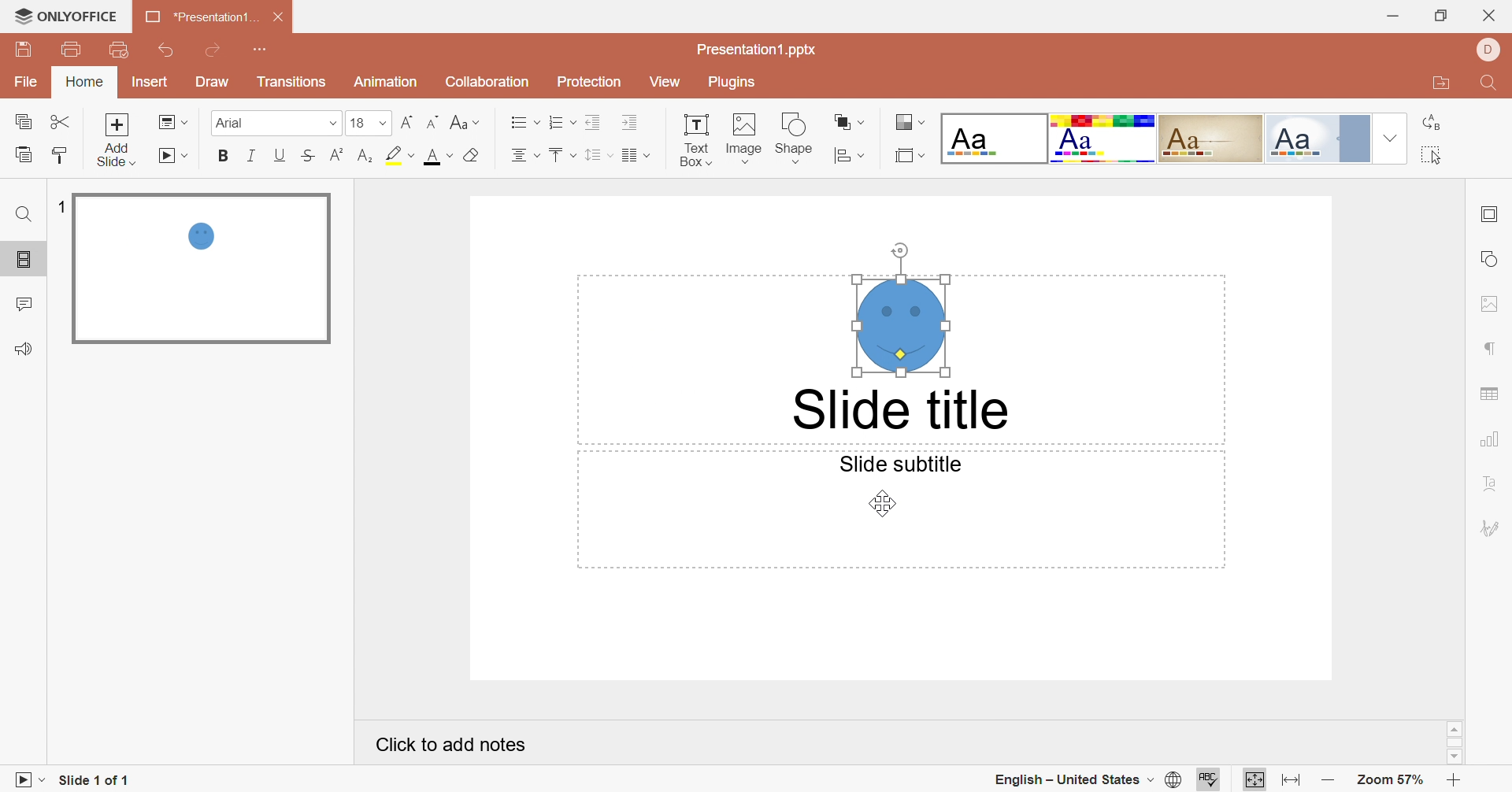  I want to click on View, so click(664, 83).